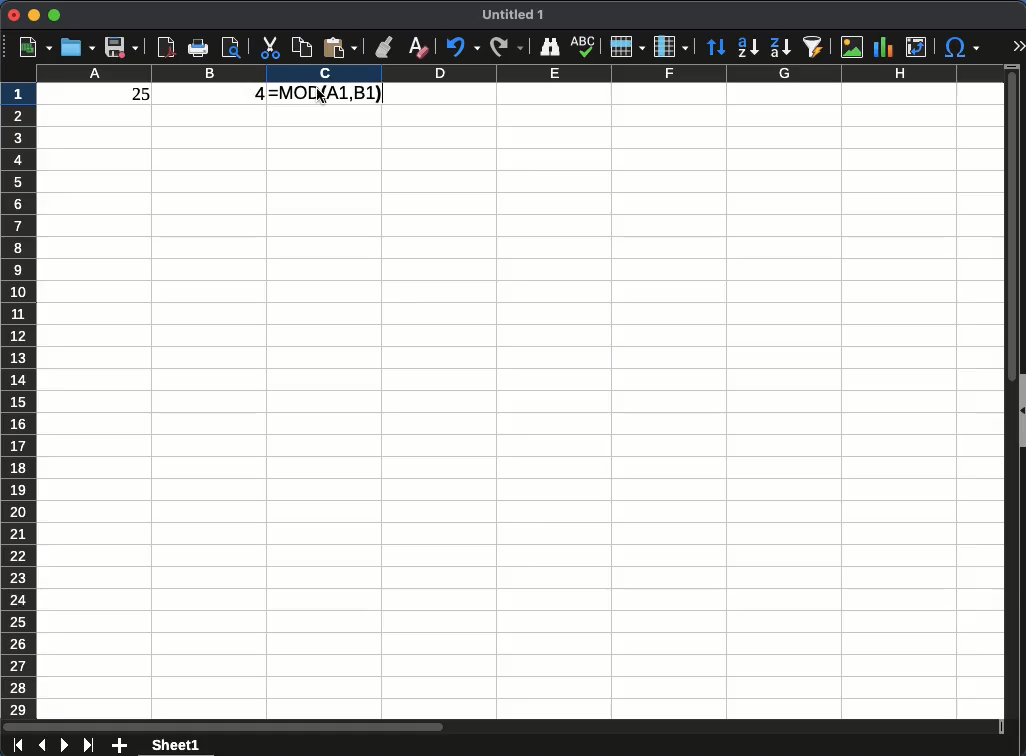  I want to click on scroll, so click(1004, 401).